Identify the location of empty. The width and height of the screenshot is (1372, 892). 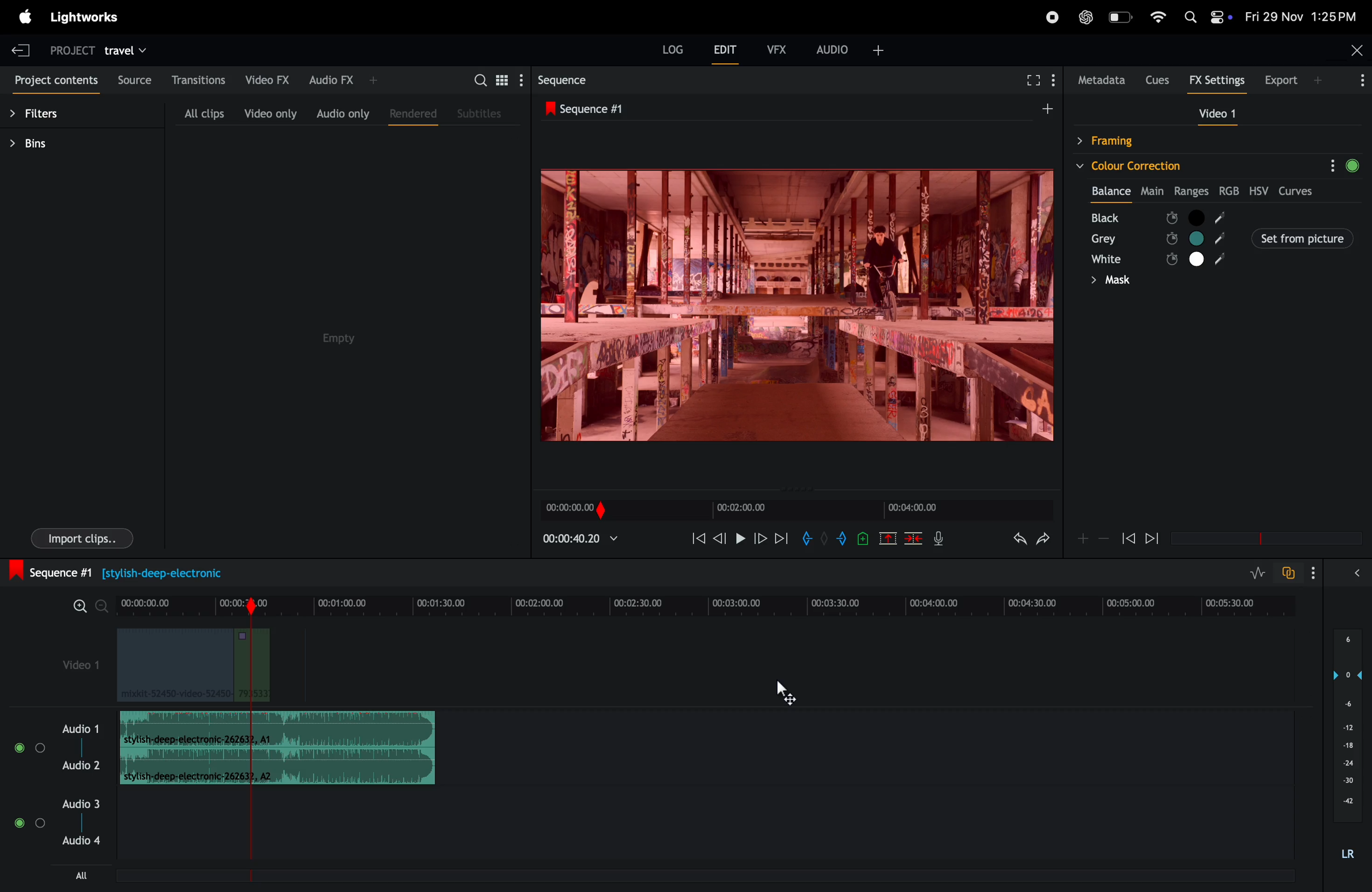
(337, 339).